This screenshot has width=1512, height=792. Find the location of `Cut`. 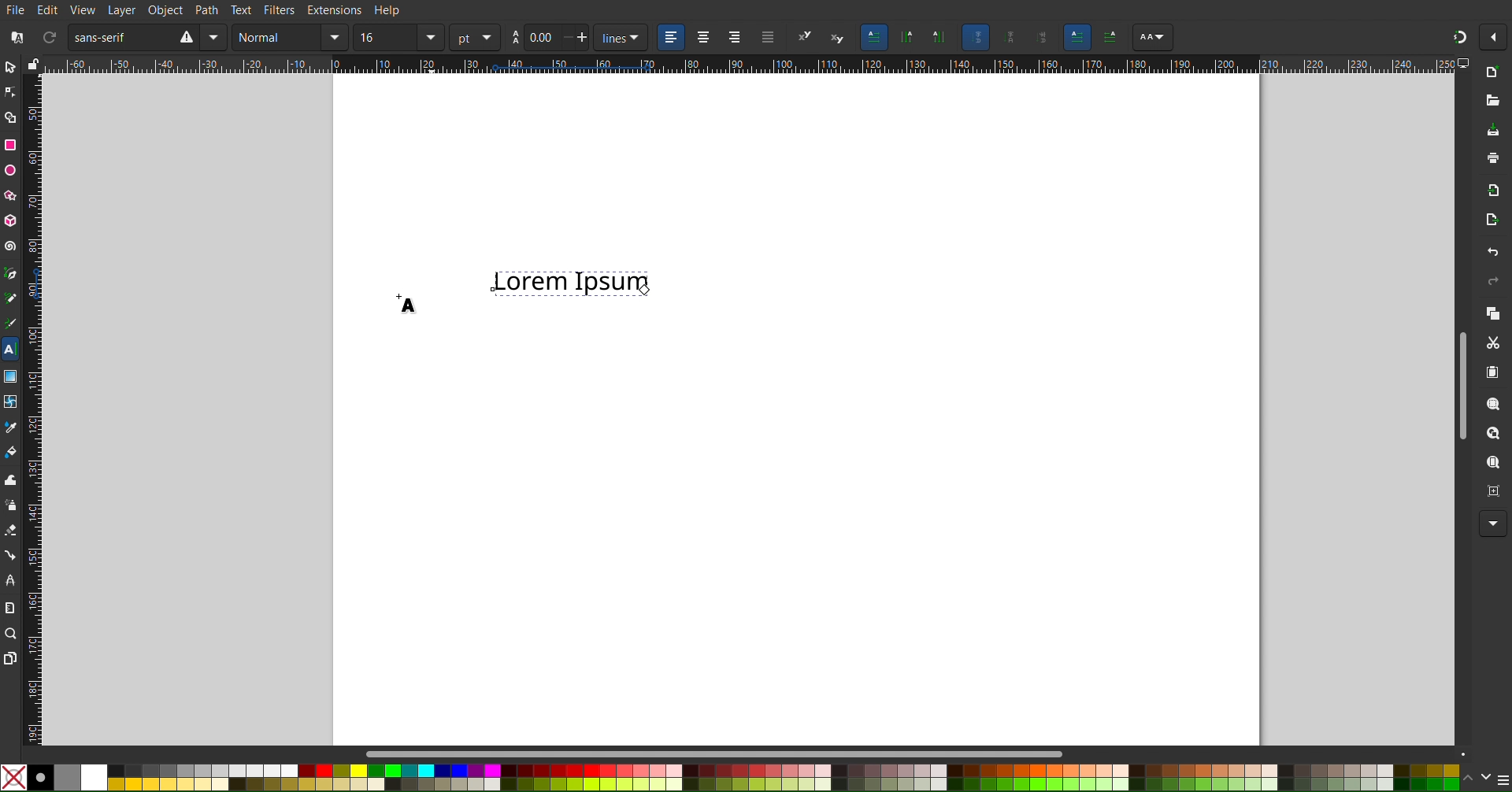

Cut is located at coordinates (1492, 342).